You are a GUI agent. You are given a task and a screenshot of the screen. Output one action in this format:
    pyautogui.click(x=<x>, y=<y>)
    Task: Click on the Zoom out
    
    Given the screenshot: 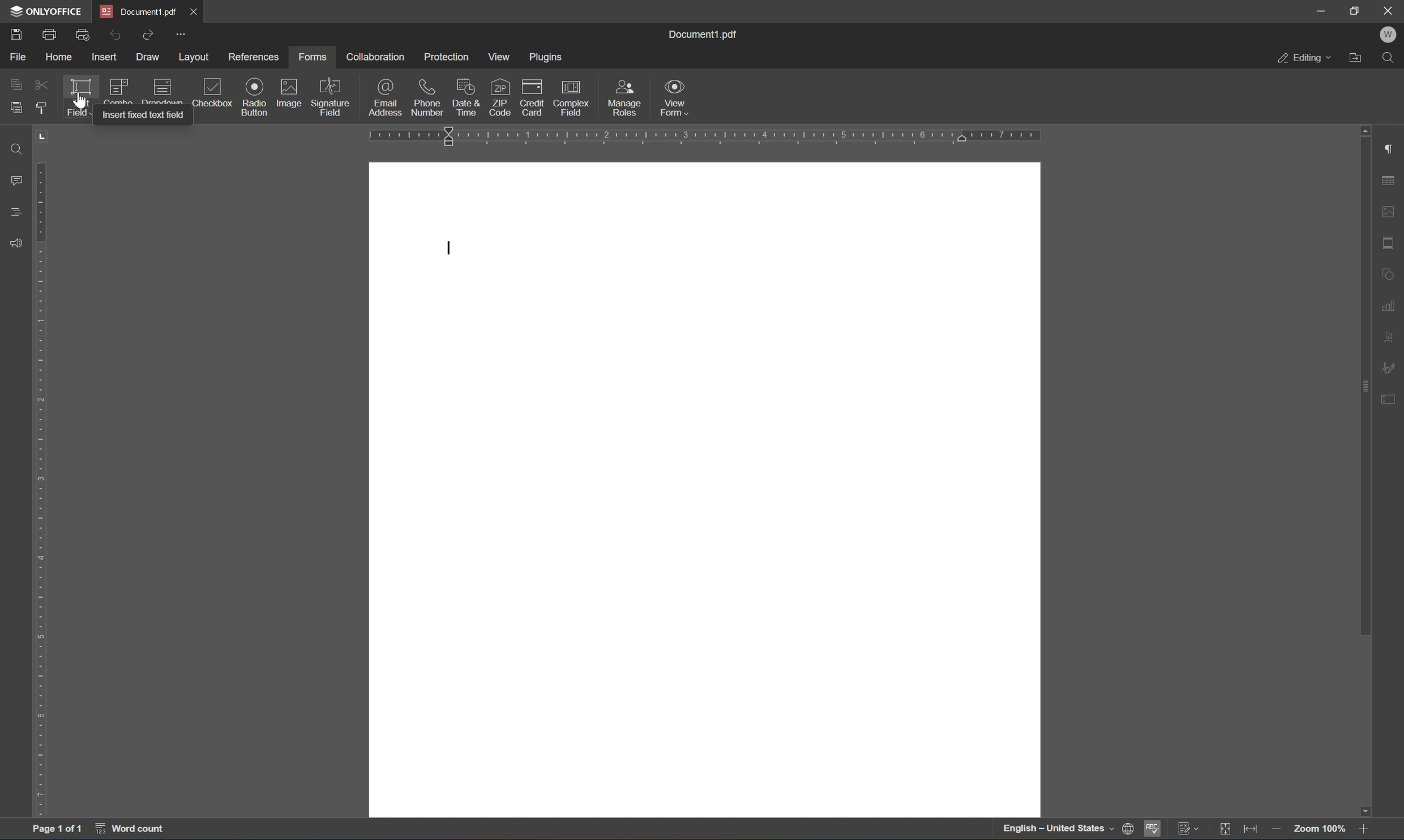 What is the action you would take?
    pyautogui.click(x=1280, y=830)
    